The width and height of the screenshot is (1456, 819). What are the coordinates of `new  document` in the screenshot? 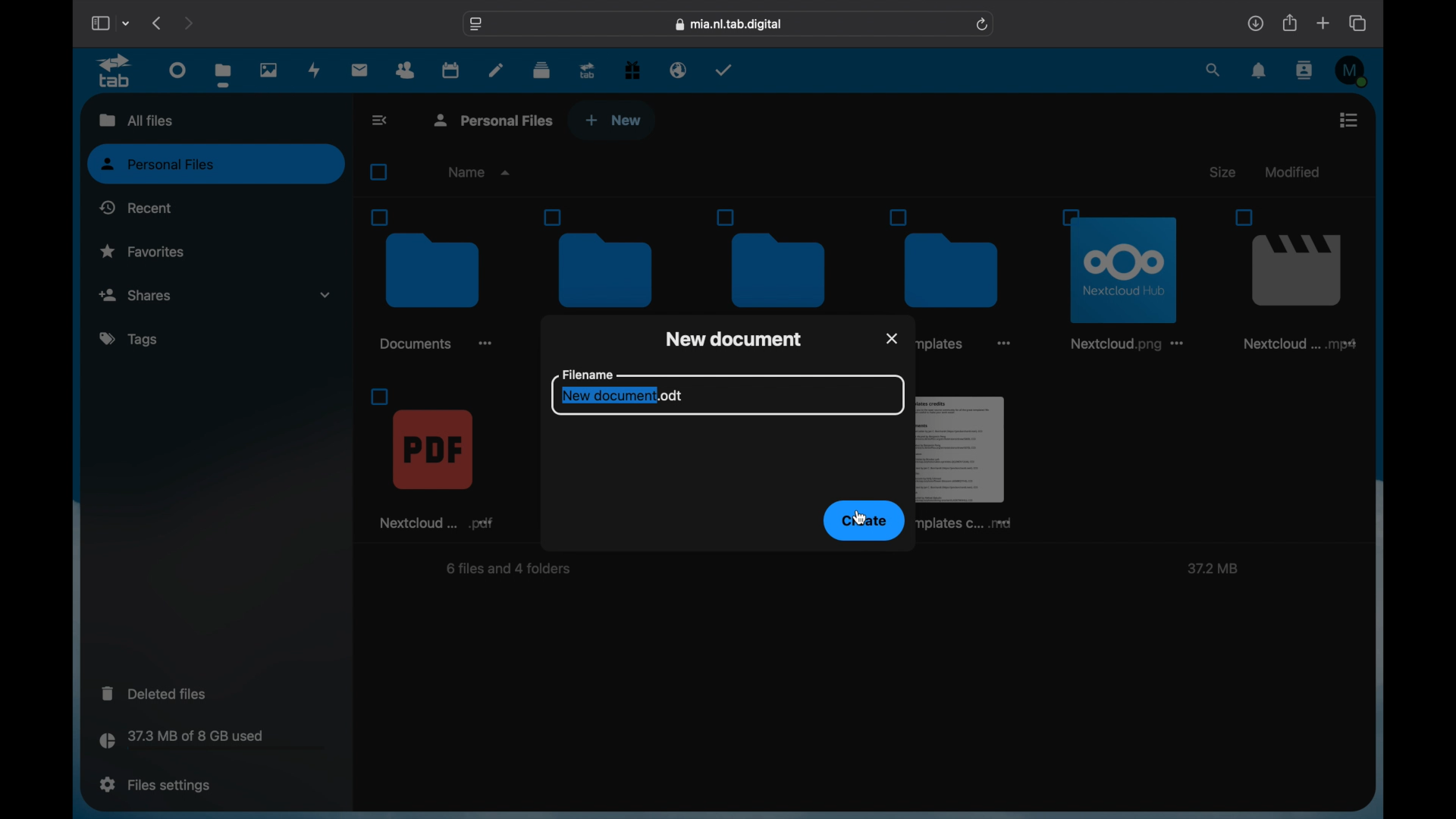 It's located at (620, 396).